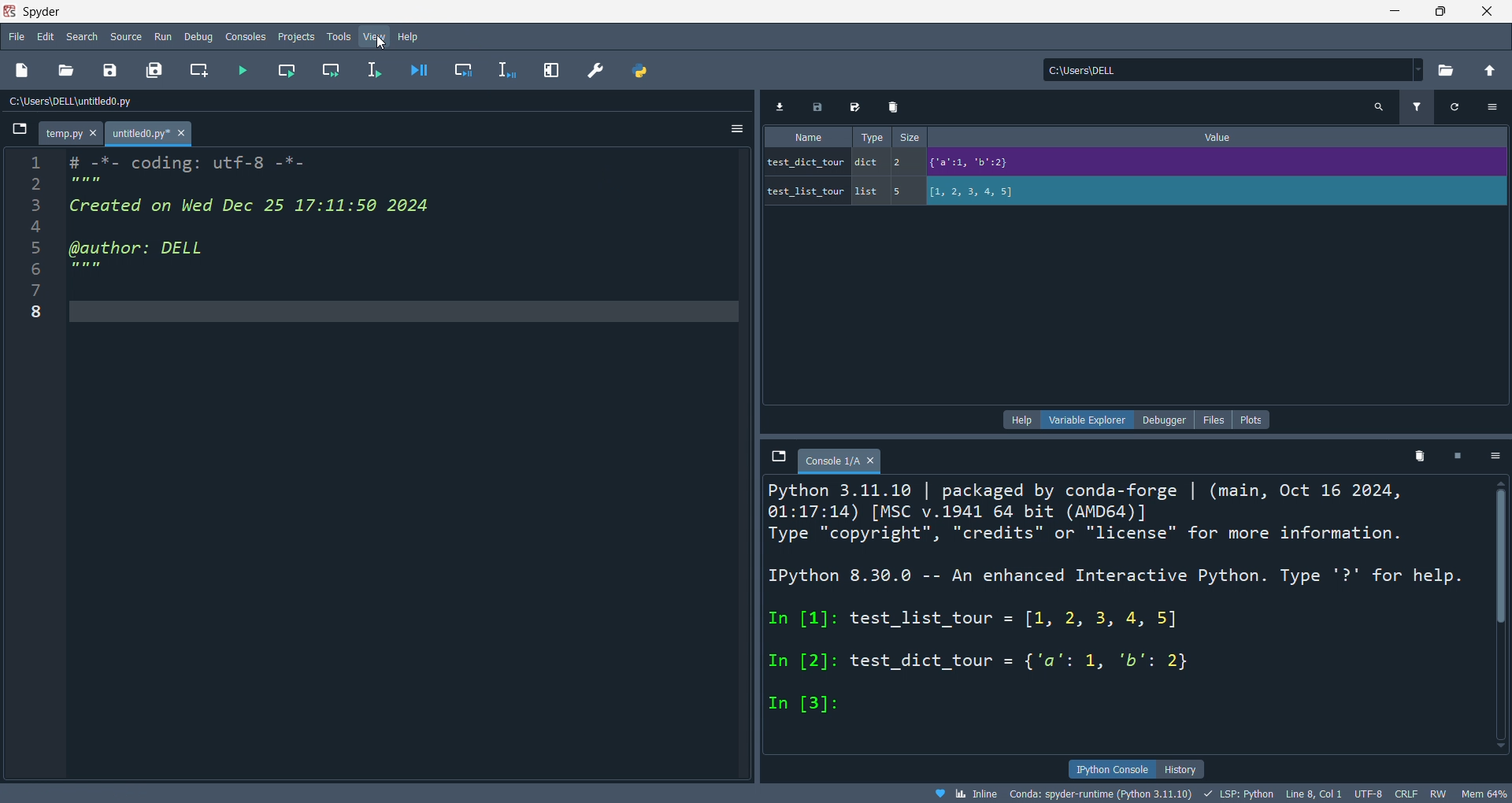 Image resolution: width=1512 pixels, height=803 pixels. I want to click on run cell and move, so click(335, 71).